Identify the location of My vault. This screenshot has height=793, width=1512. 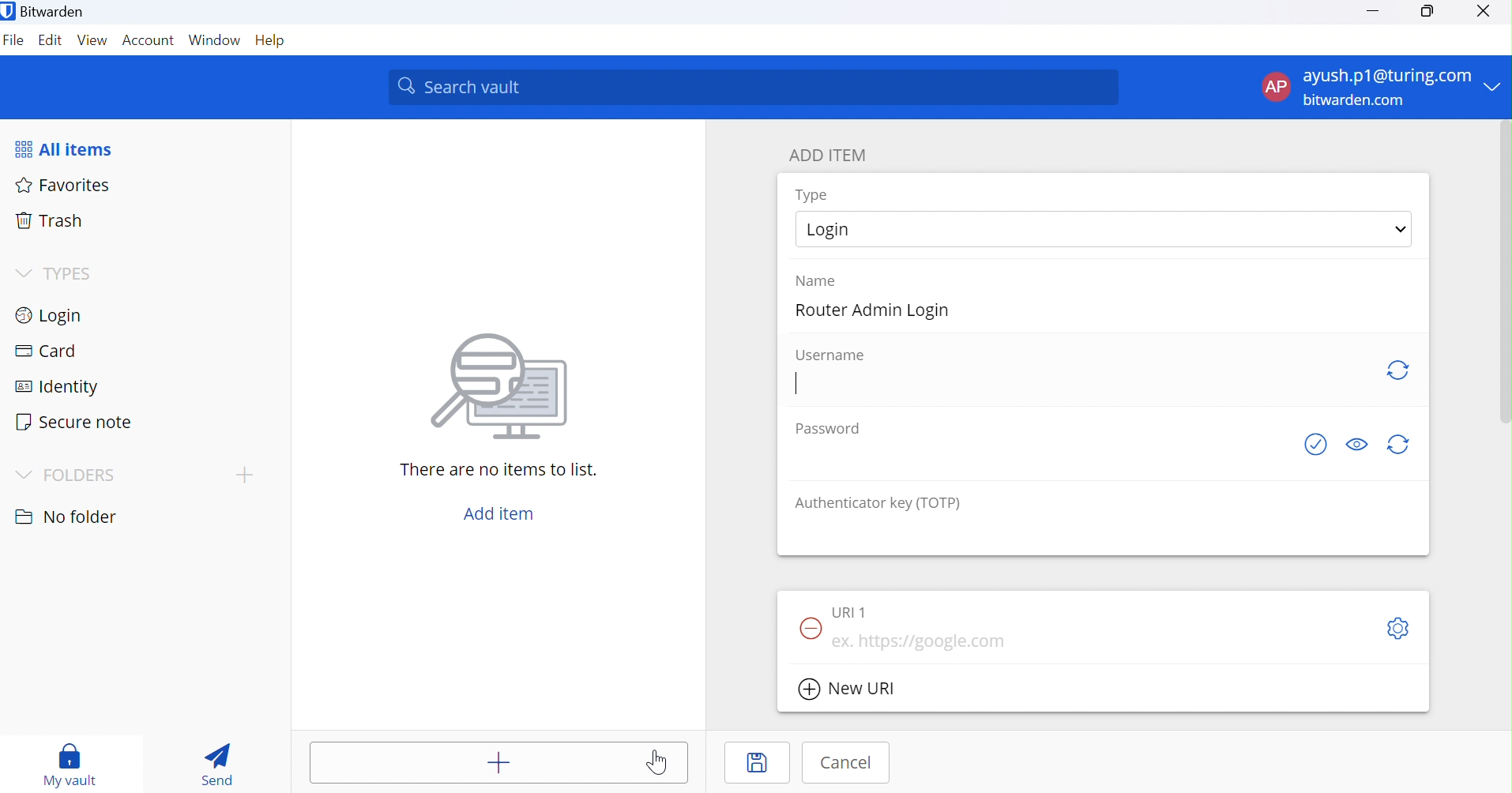
(70, 760).